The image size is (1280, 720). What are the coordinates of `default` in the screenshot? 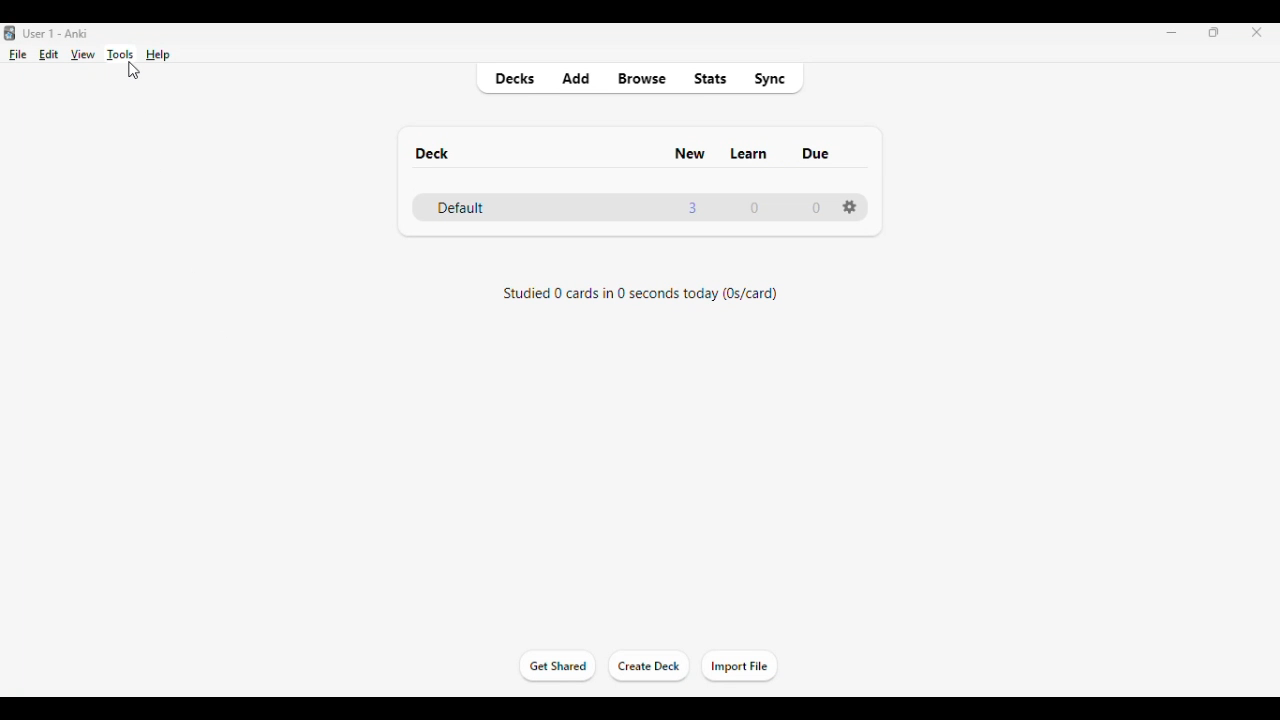 It's located at (460, 207).